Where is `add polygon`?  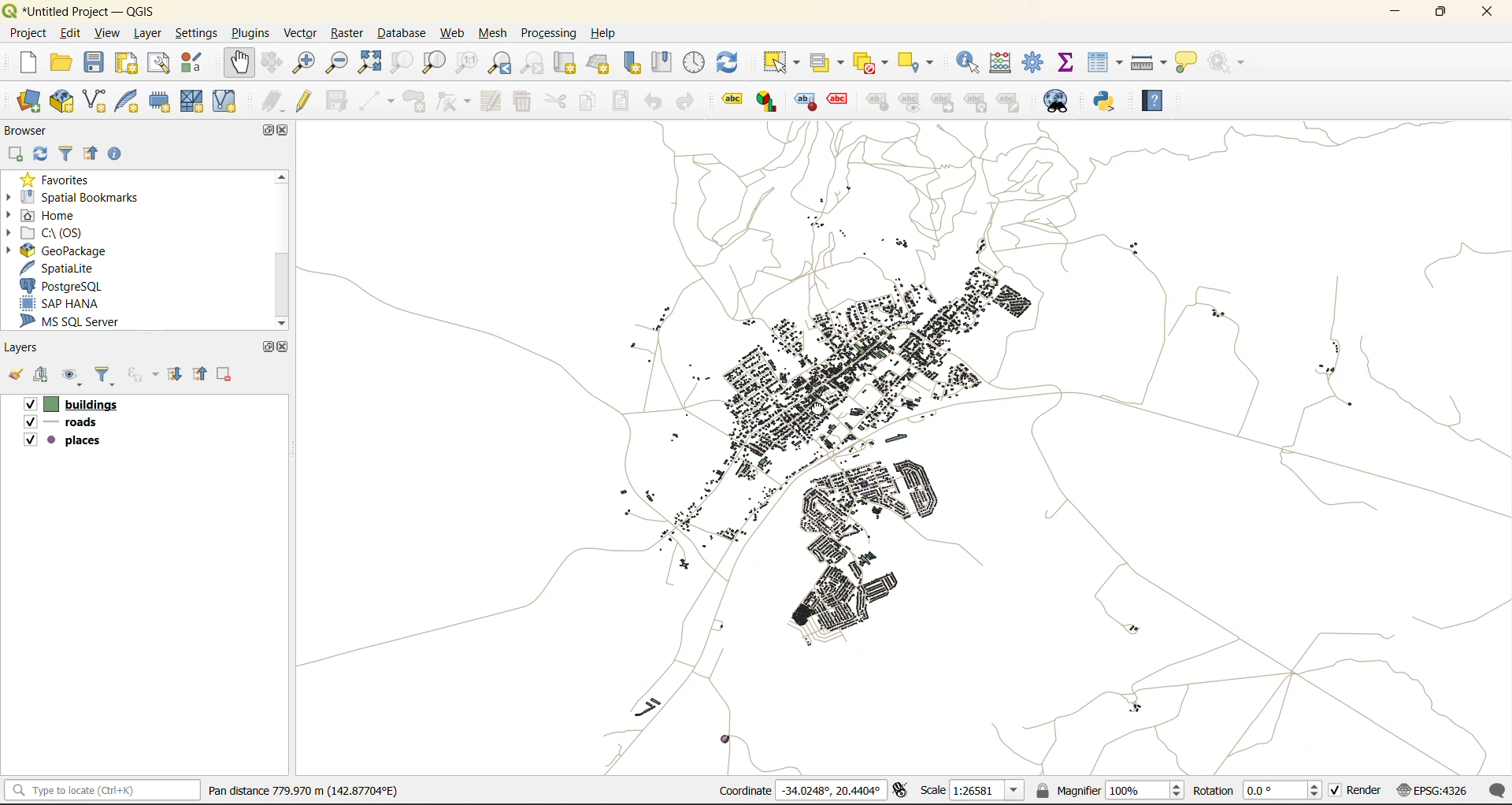 add polygon is located at coordinates (414, 102).